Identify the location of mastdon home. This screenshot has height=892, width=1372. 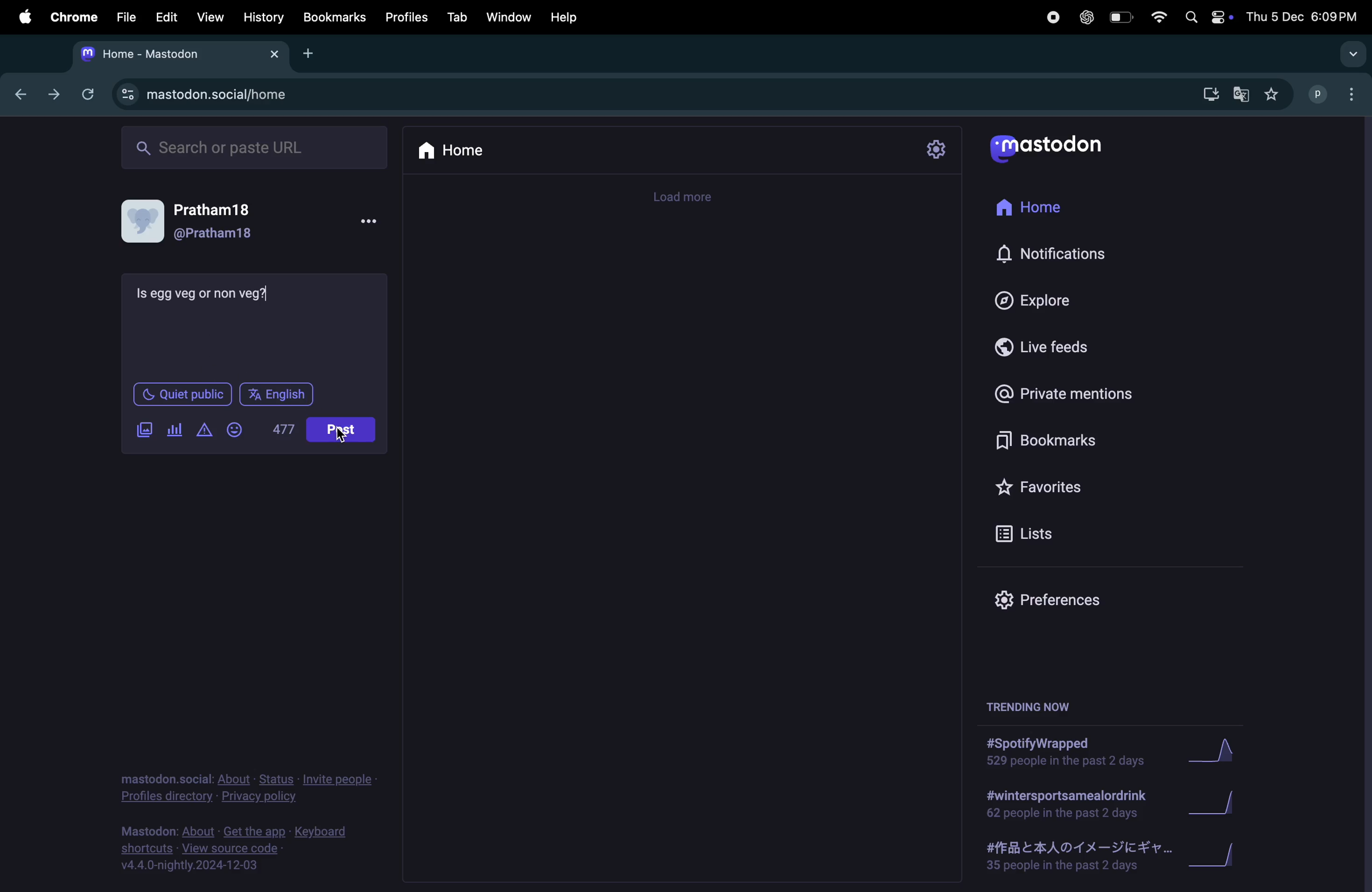
(177, 54).